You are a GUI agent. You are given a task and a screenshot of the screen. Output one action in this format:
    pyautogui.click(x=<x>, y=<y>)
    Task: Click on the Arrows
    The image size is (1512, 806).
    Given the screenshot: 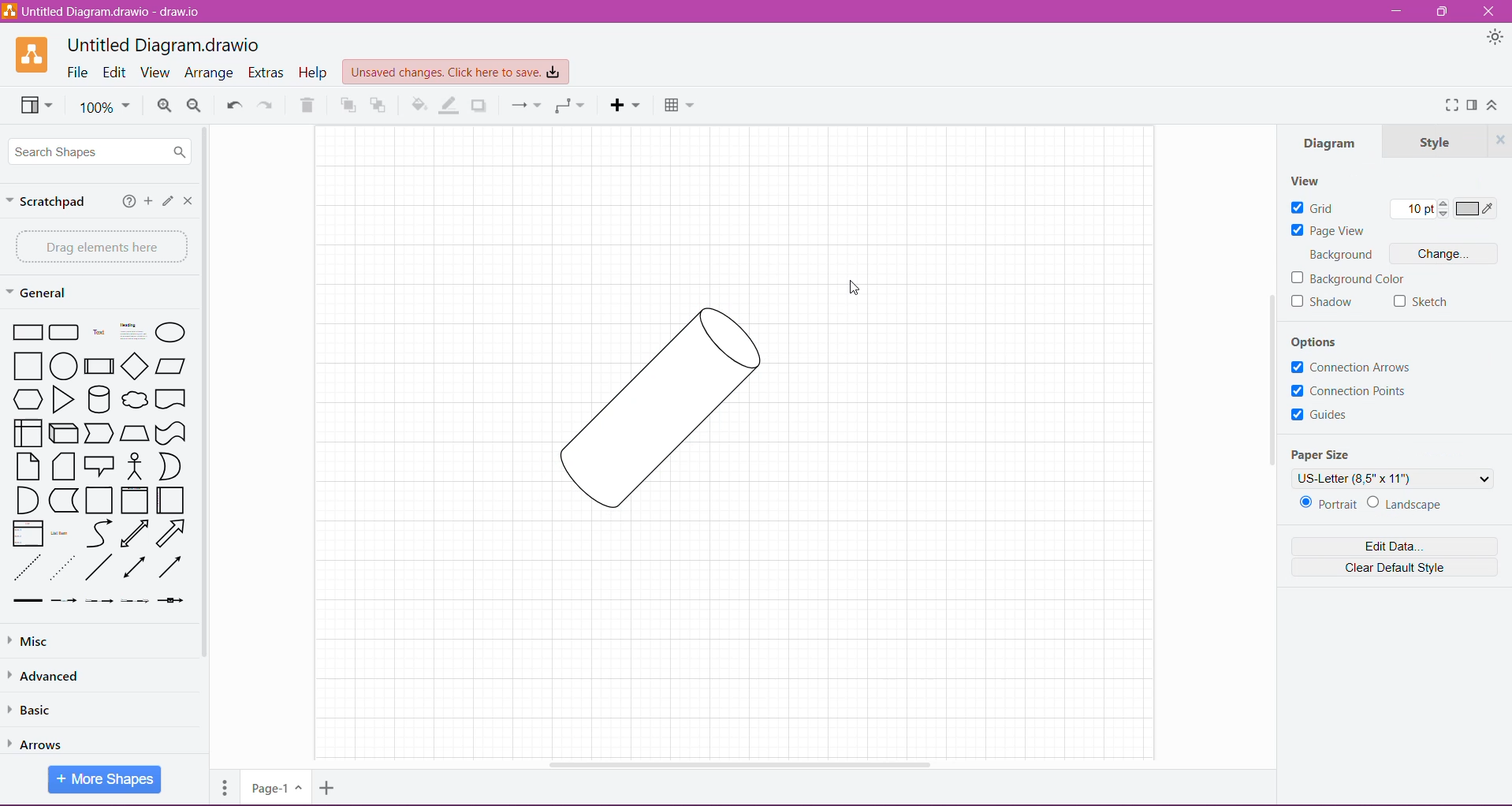 What is the action you would take?
    pyautogui.click(x=45, y=741)
    